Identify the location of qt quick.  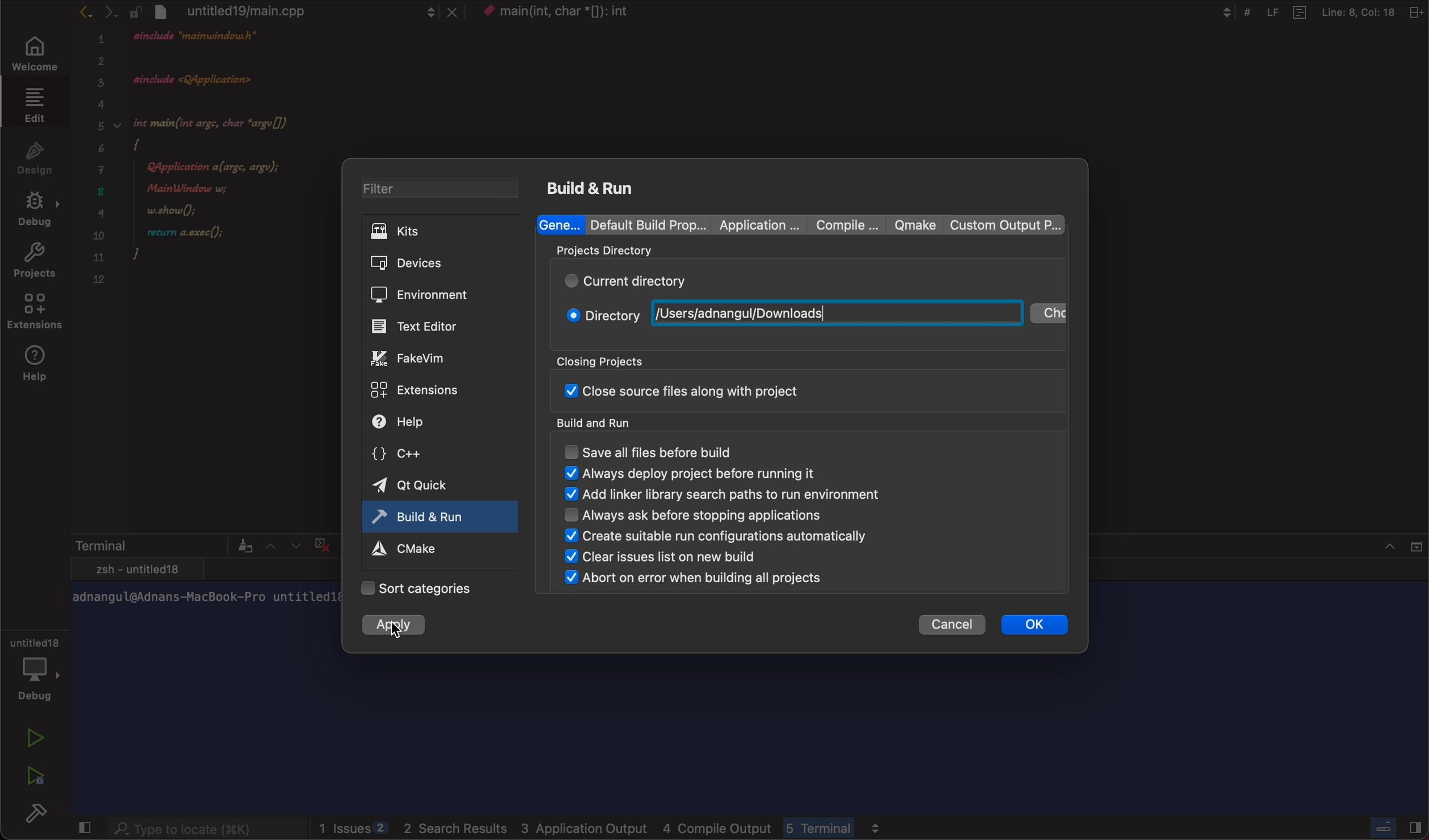
(419, 484).